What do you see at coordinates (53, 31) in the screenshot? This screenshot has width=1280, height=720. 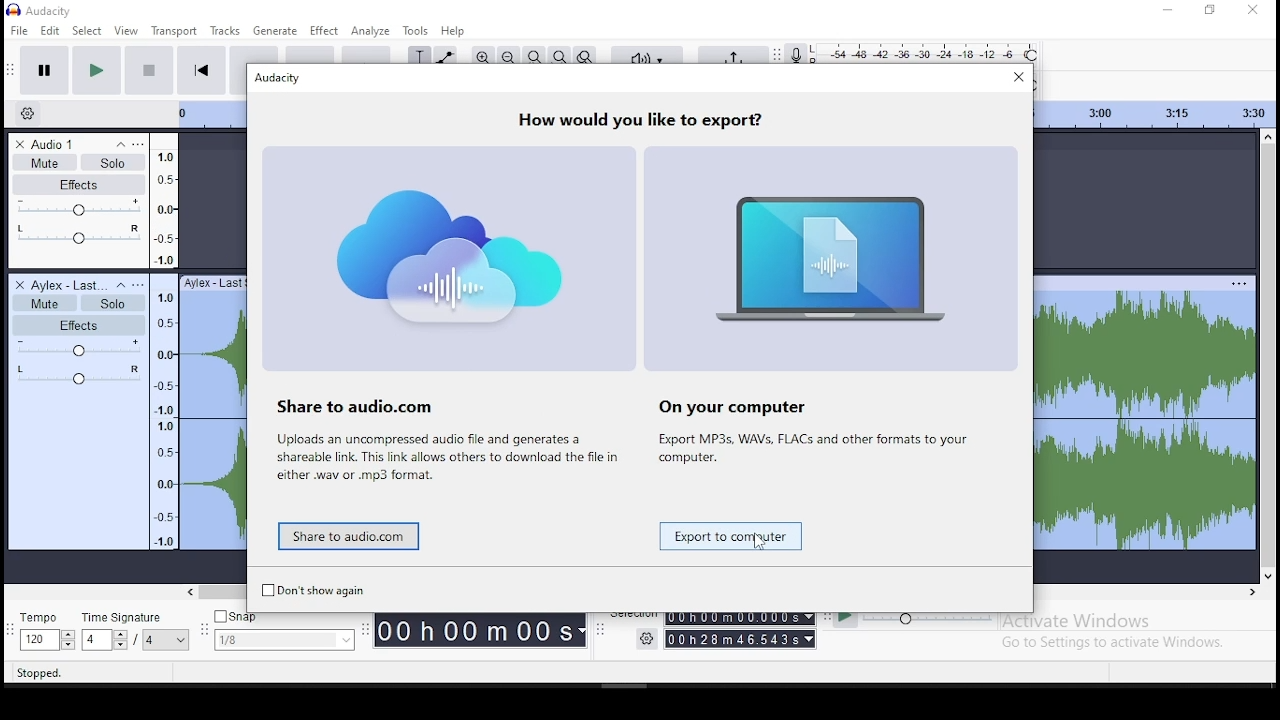 I see `edit` at bounding box center [53, 31].